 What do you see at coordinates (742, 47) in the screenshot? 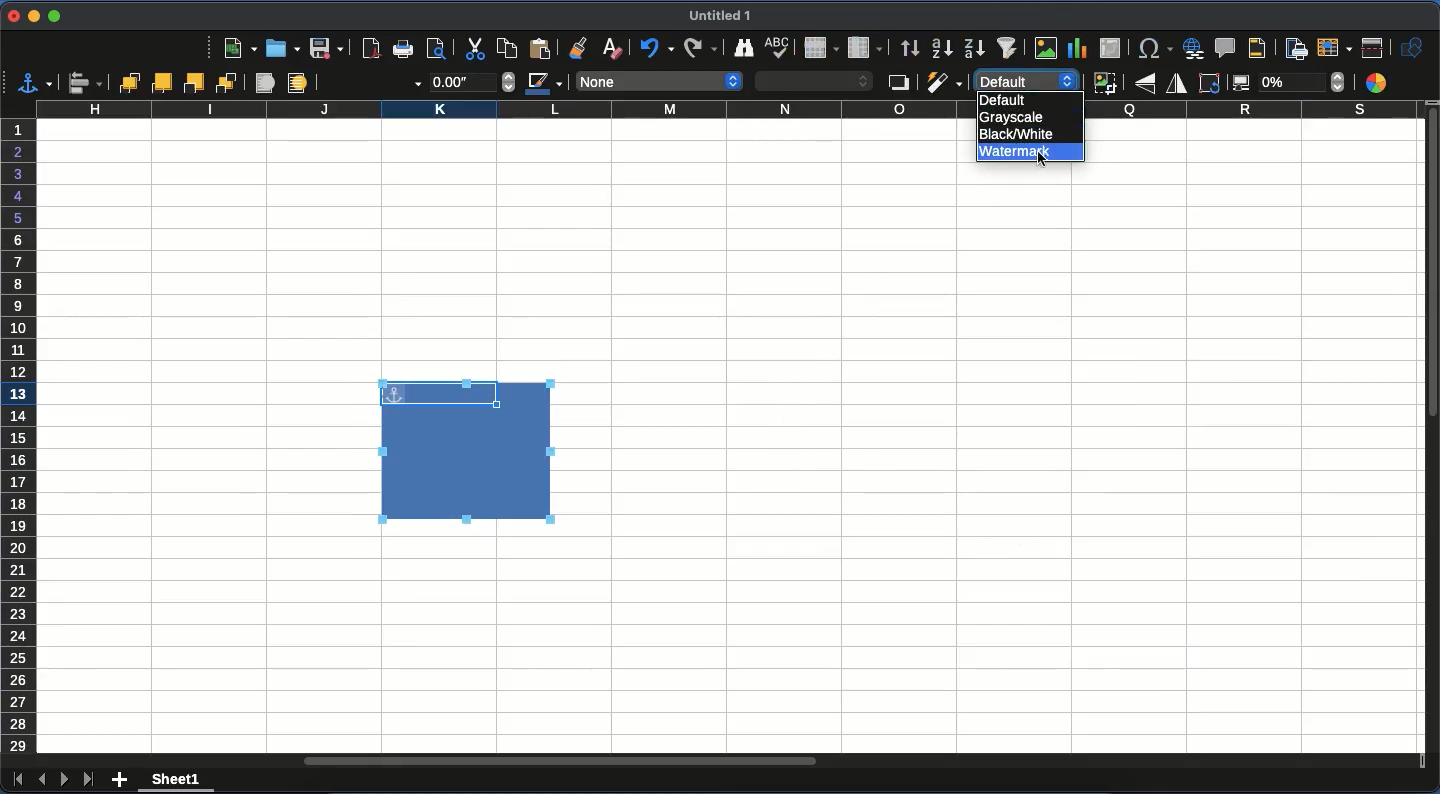
I see `finder` at bounding box center [742, 47].